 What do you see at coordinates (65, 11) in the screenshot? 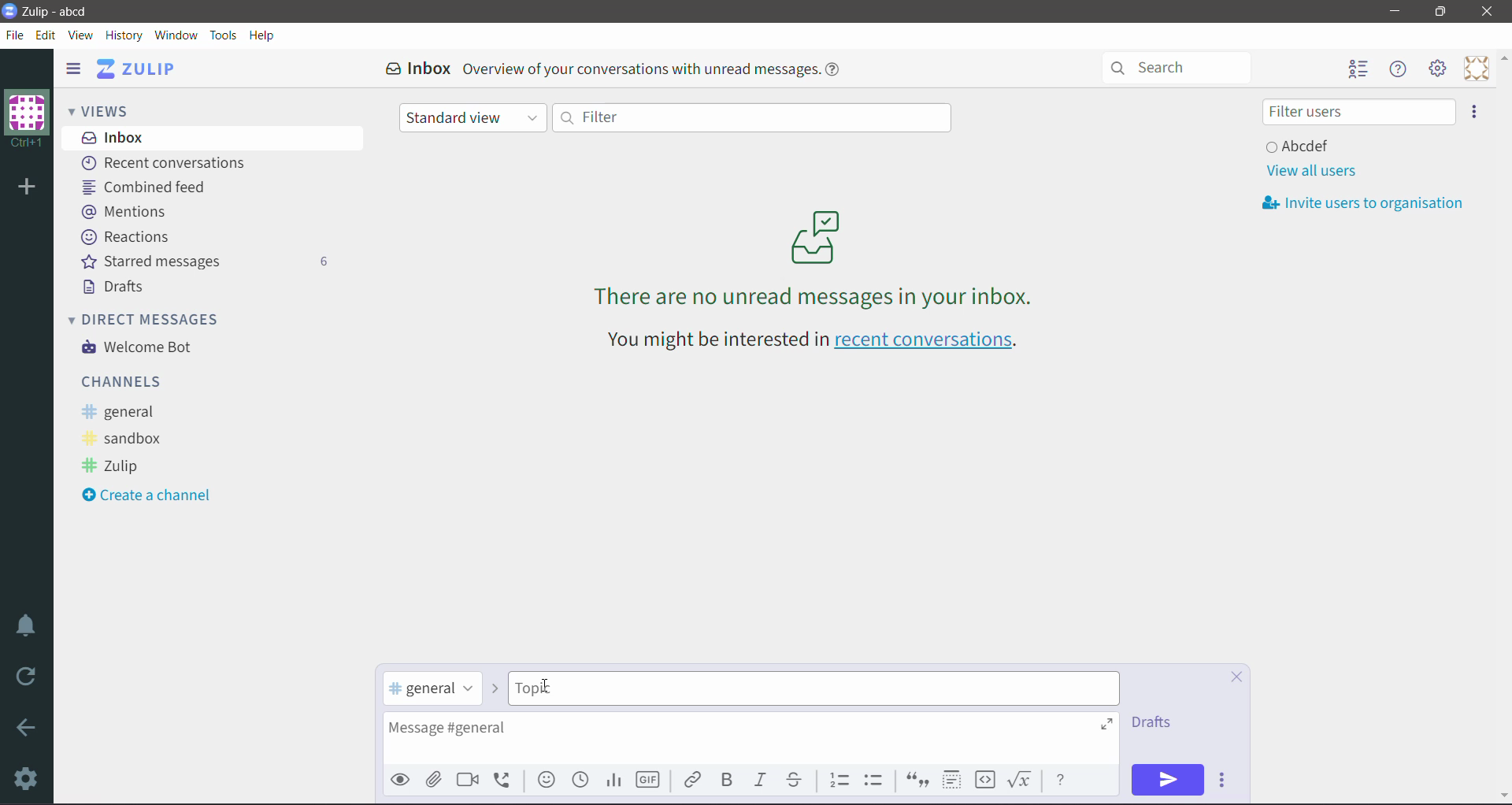
I see `Application Name - Organization Name` at bounding box center [65, 11].